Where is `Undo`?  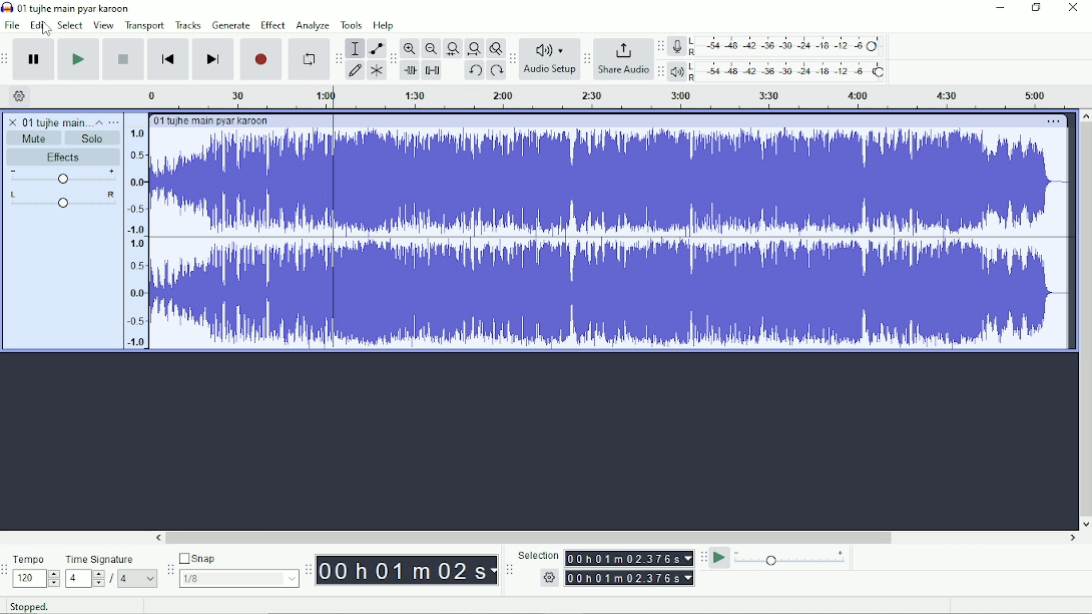 Undo is located at coordinates (474, 70).